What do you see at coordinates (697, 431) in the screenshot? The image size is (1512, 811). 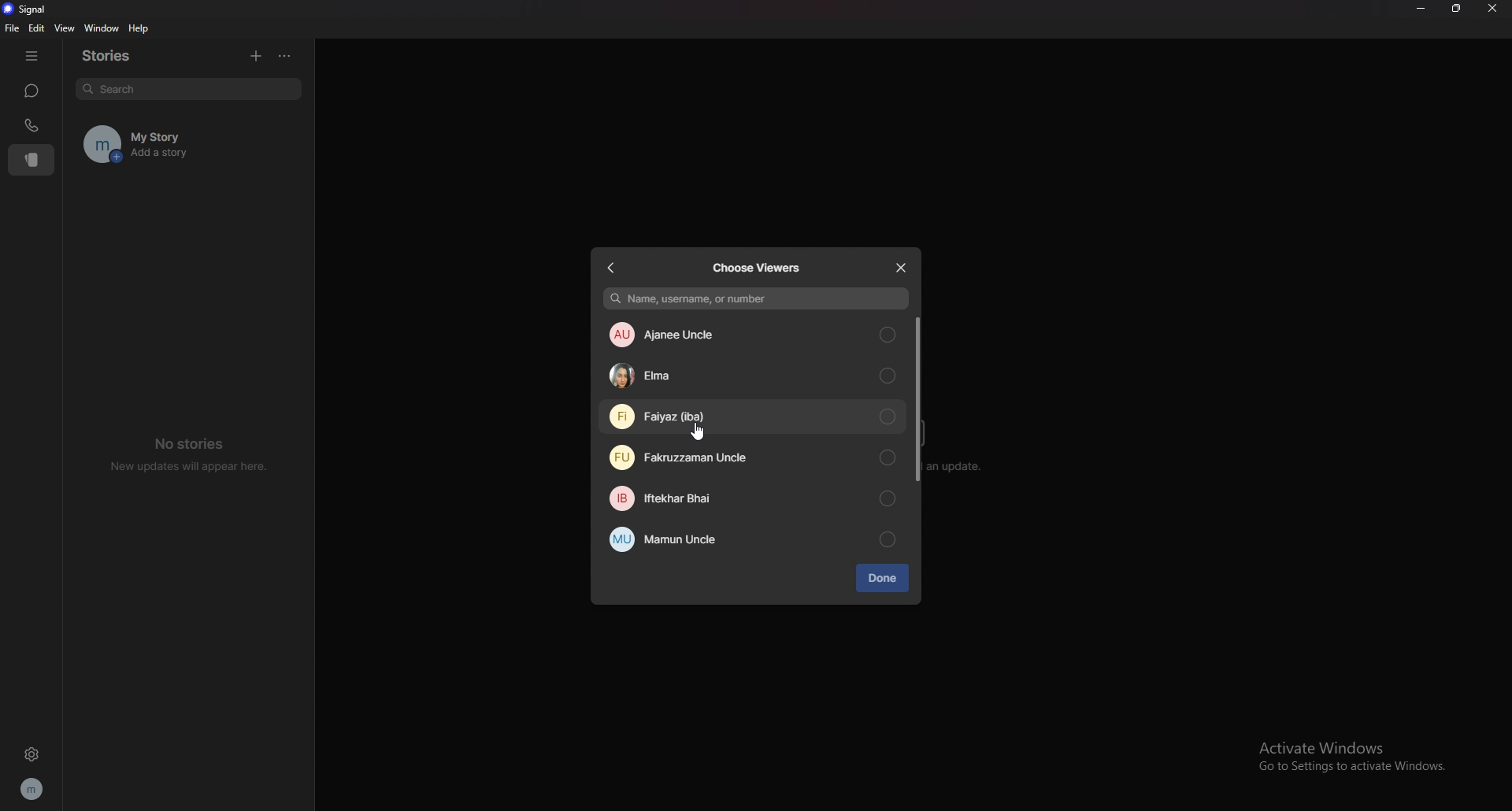 I see `cursor` at bounding box center [697, 431].